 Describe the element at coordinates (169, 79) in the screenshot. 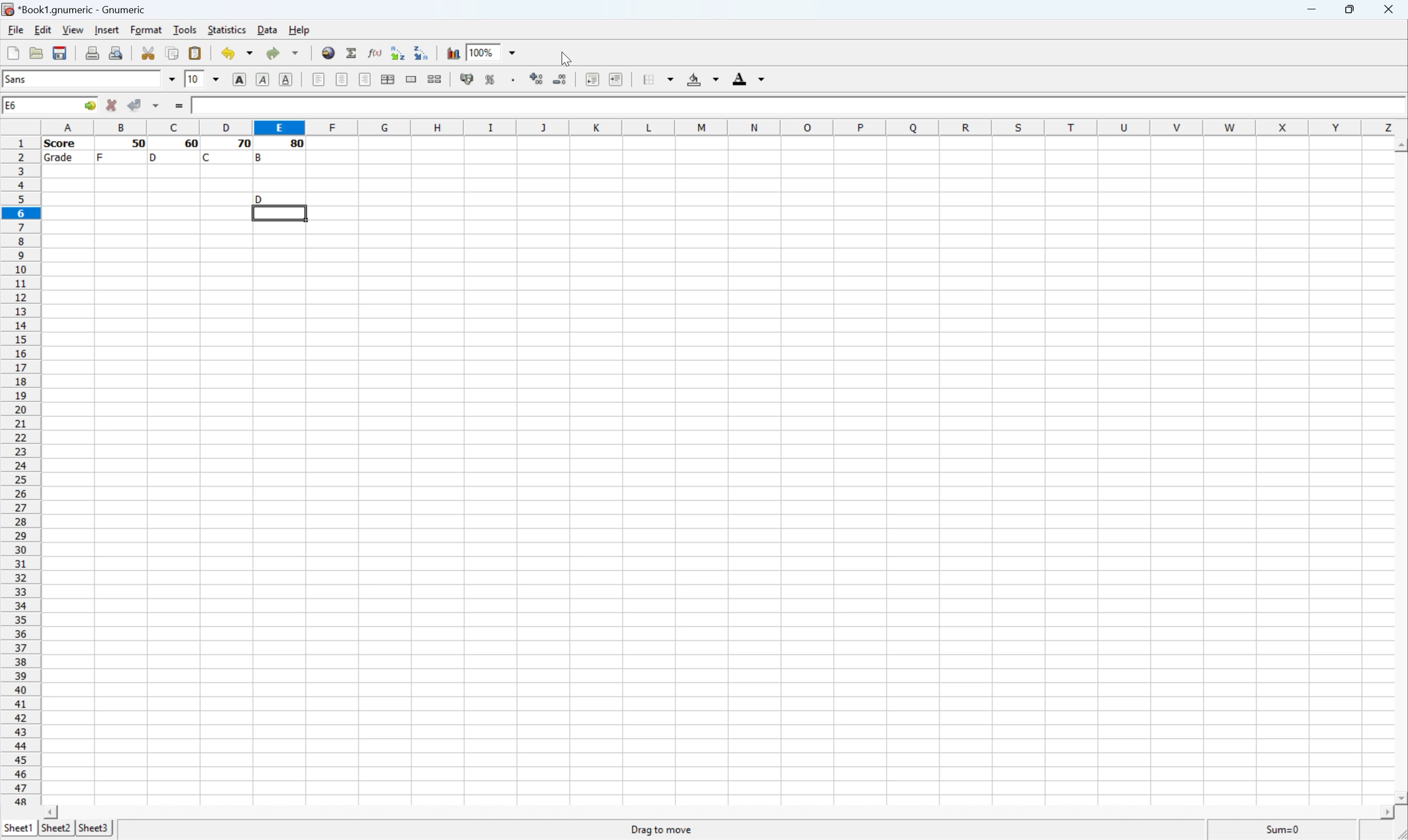

I see `Drop Down` at that location.